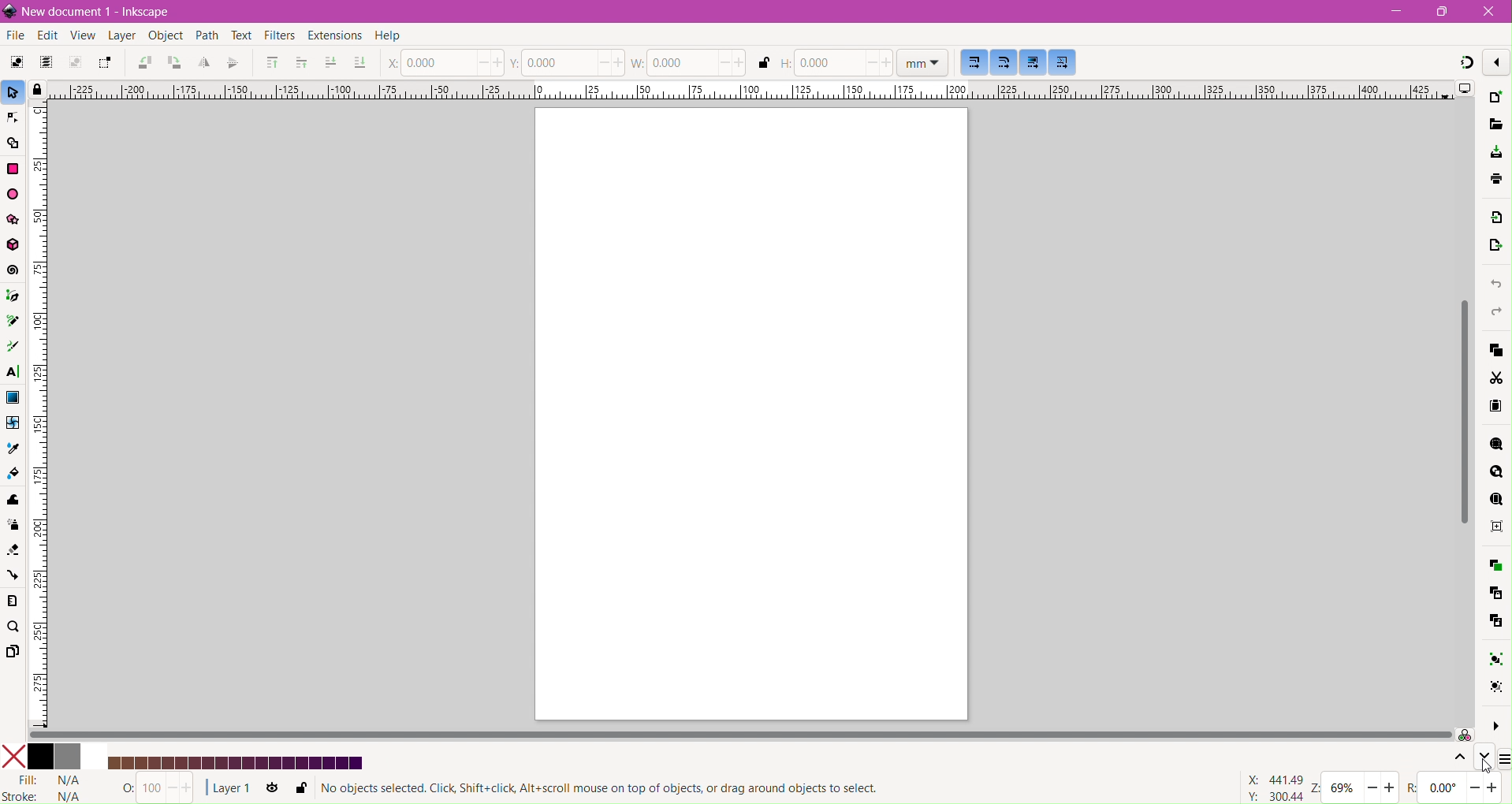  Describe the element at coordinates (80, 35) in the screenshot. I see `View` at that location.